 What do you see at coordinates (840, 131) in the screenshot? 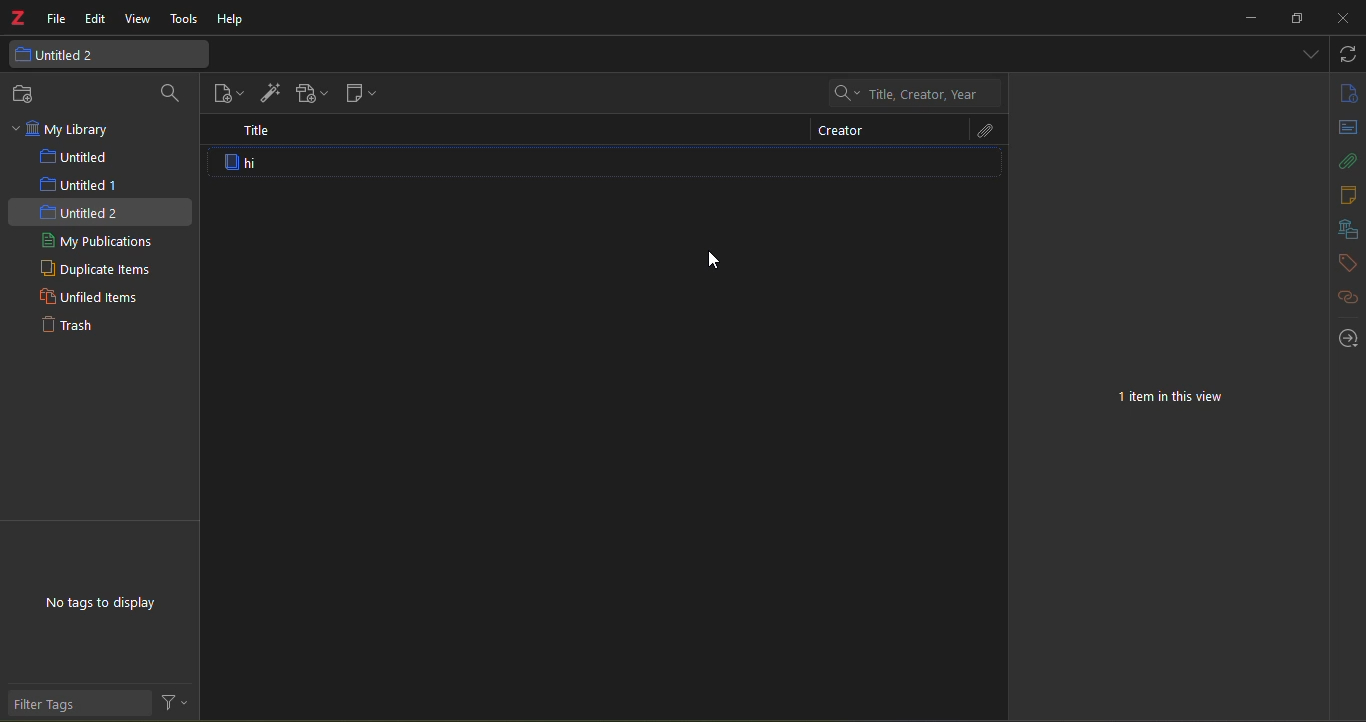
I see `creator` at bounding box center [840, 131].